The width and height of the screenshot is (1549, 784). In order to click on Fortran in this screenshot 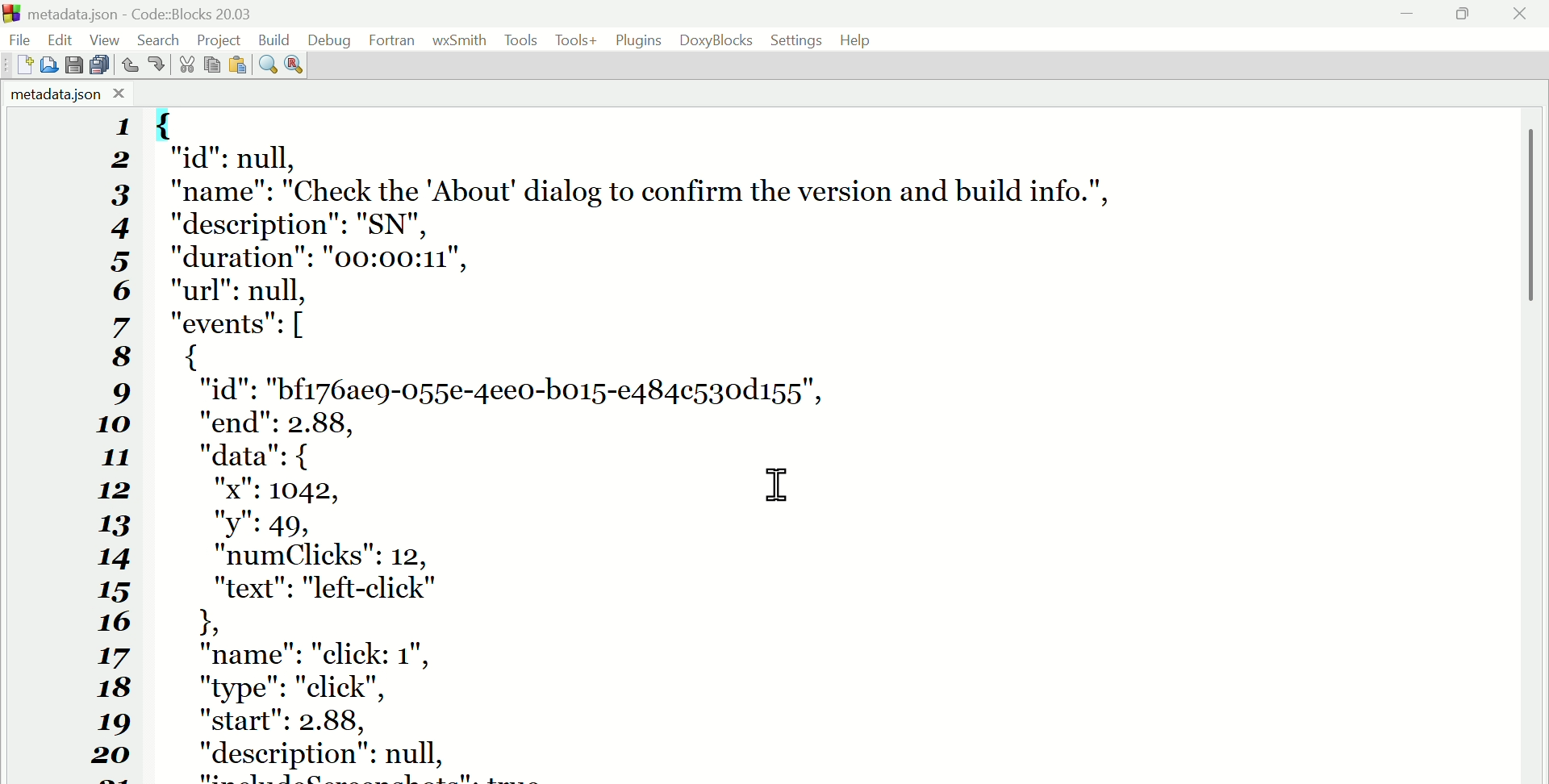, I will do `click(392, 40)`.